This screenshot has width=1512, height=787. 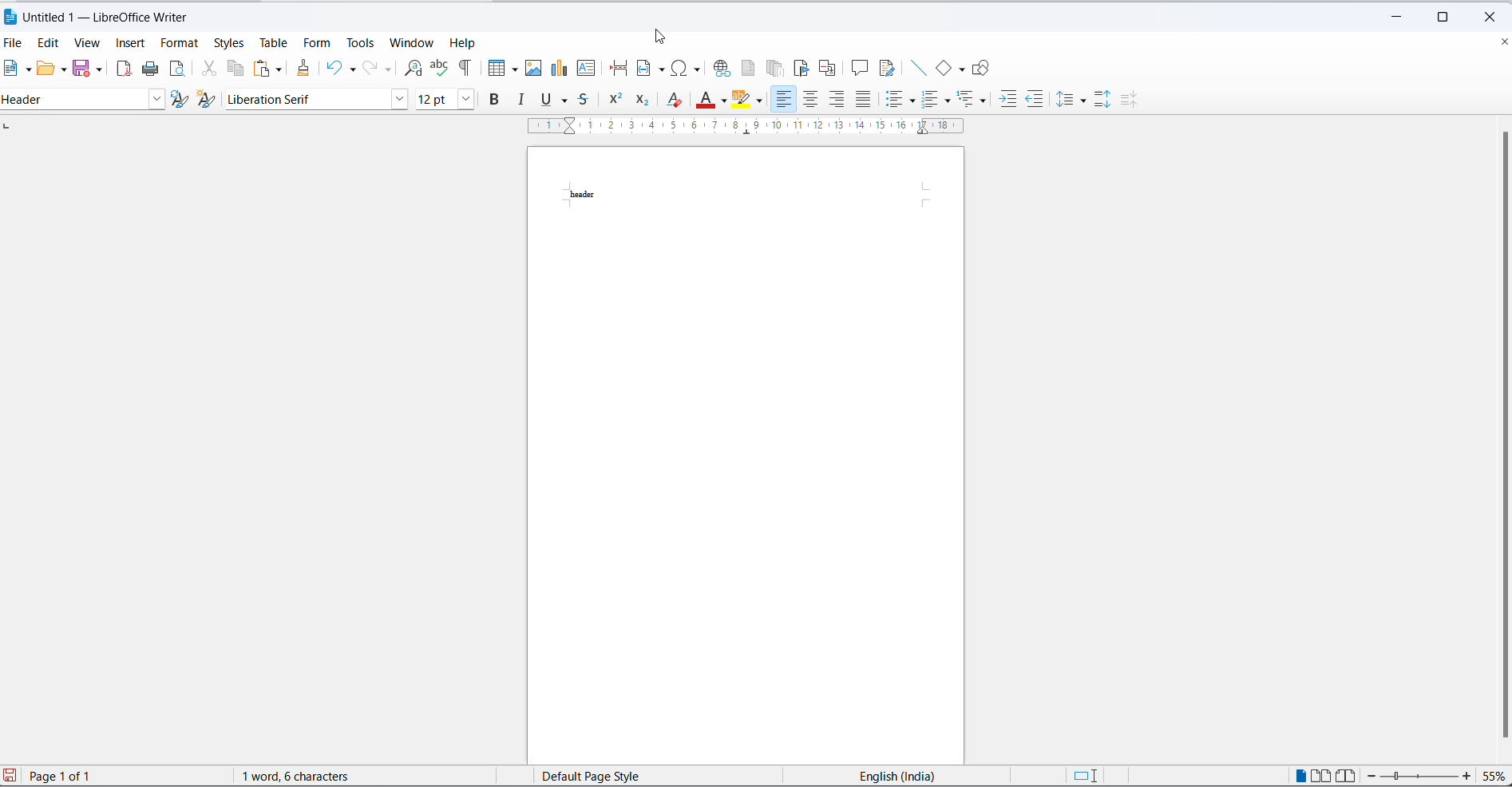 What do you see at coordinates (644, 101) in the screenshot?
I see `subscript` at bounding box center [644, 101].